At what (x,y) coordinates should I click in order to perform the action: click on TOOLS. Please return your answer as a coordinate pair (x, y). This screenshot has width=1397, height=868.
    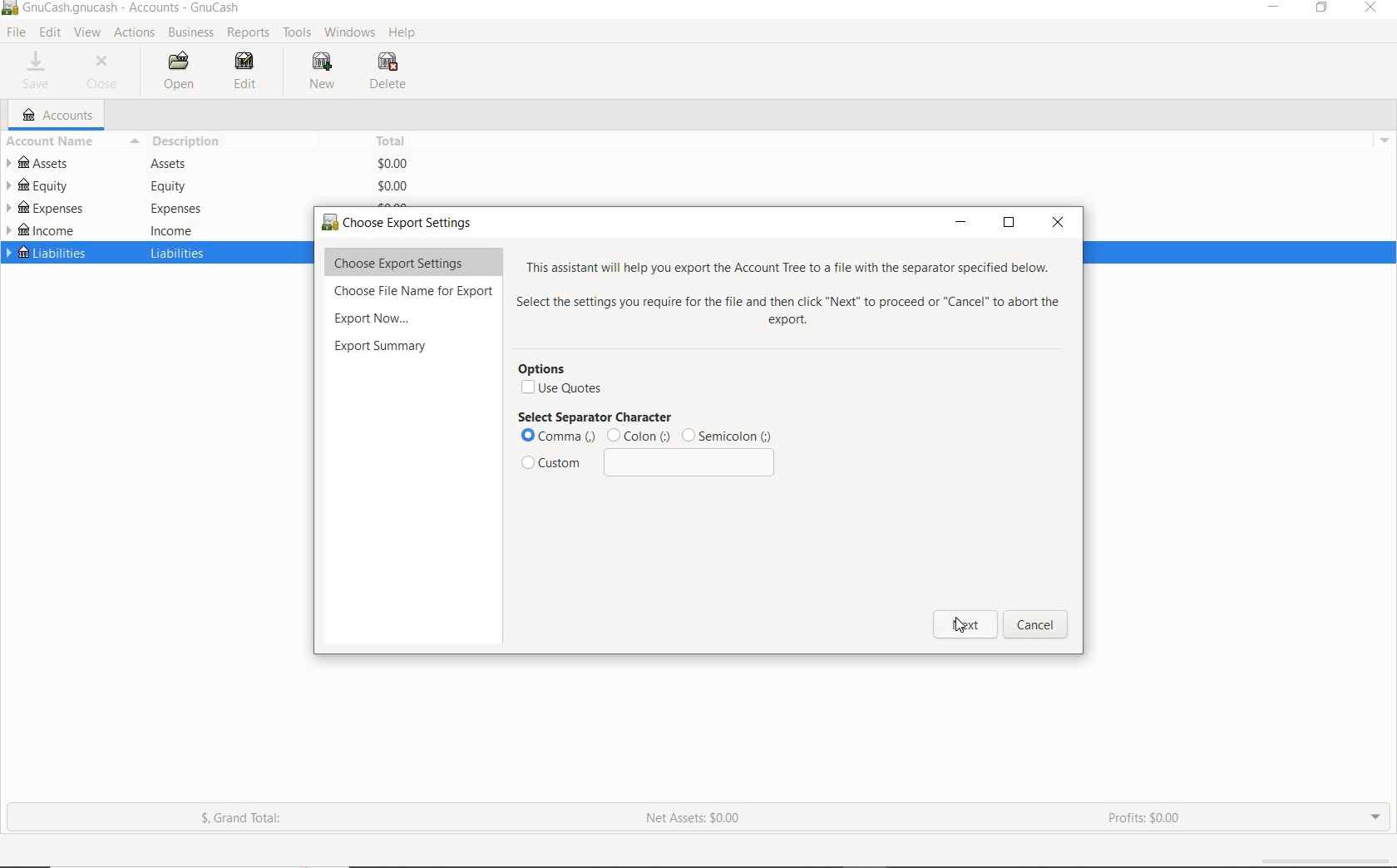
    Looking at the image, I should click on (298, 33).